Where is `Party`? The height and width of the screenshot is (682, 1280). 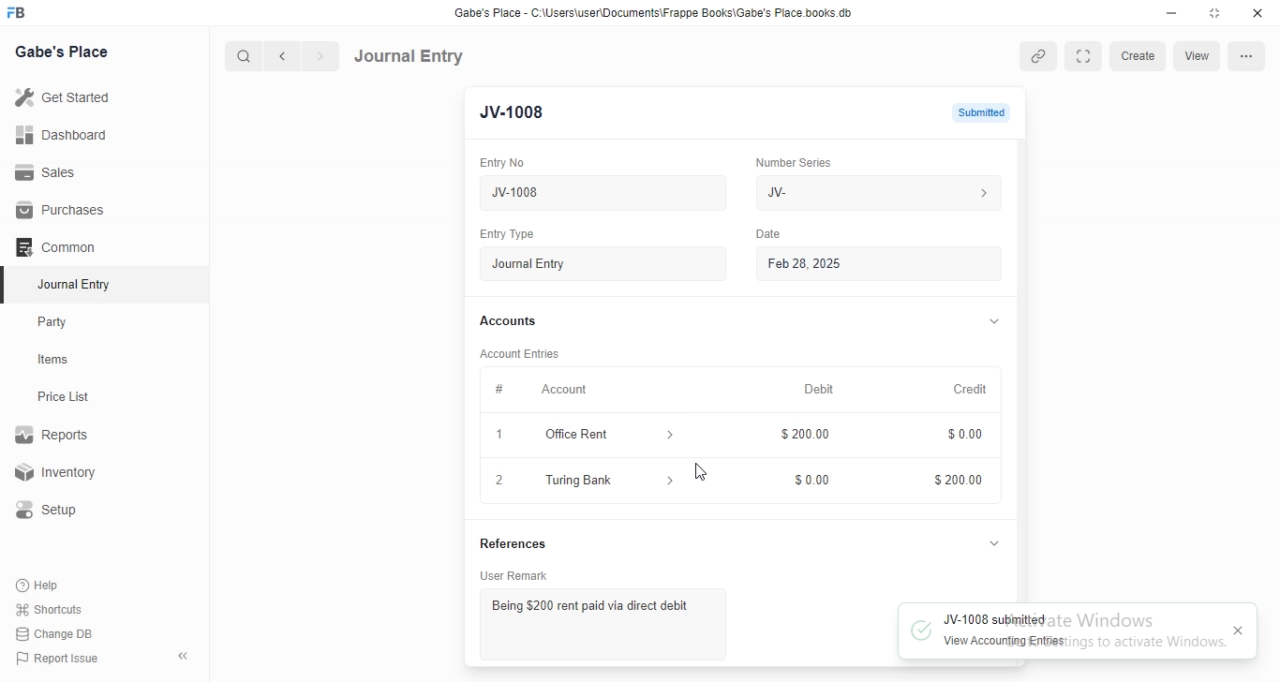
Party is located at coordinates (57, 322).